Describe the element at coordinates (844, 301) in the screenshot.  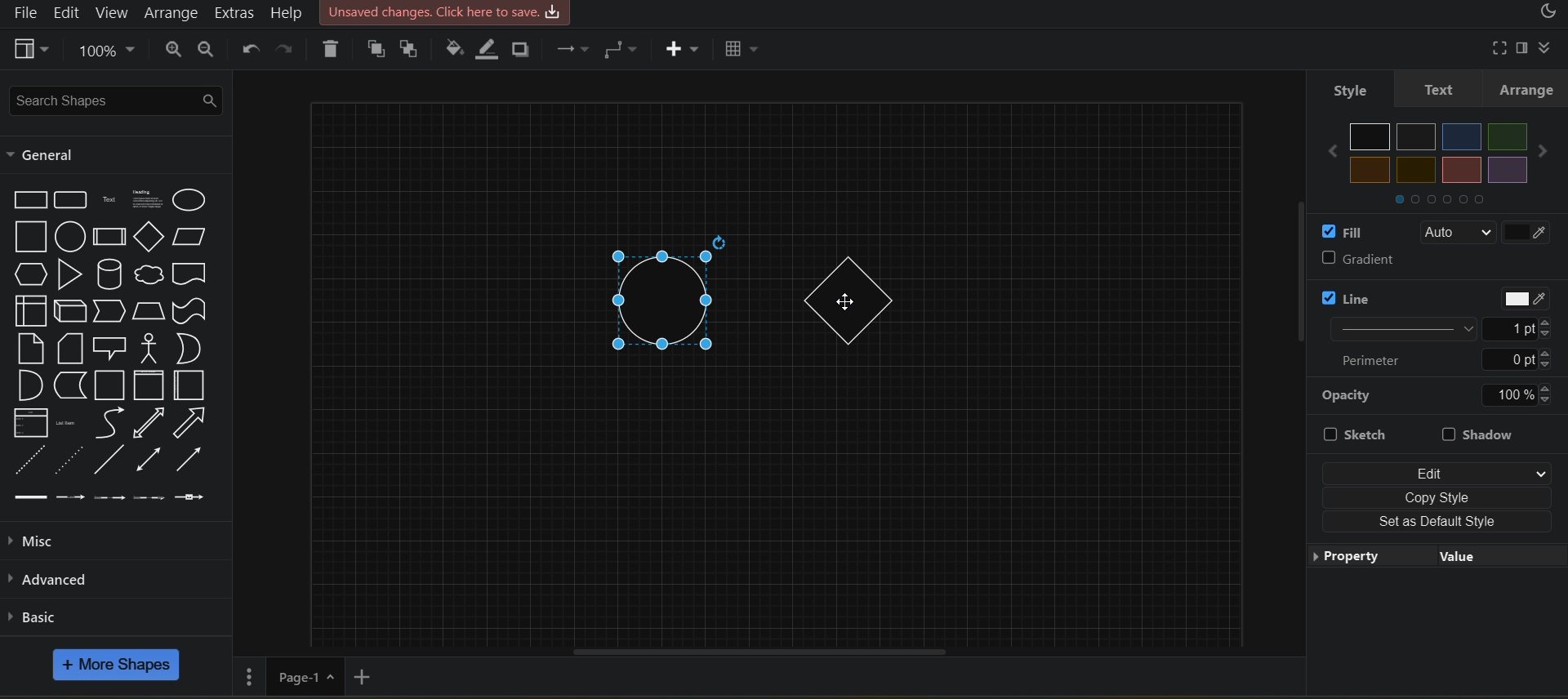
I see `cursor` at that location.